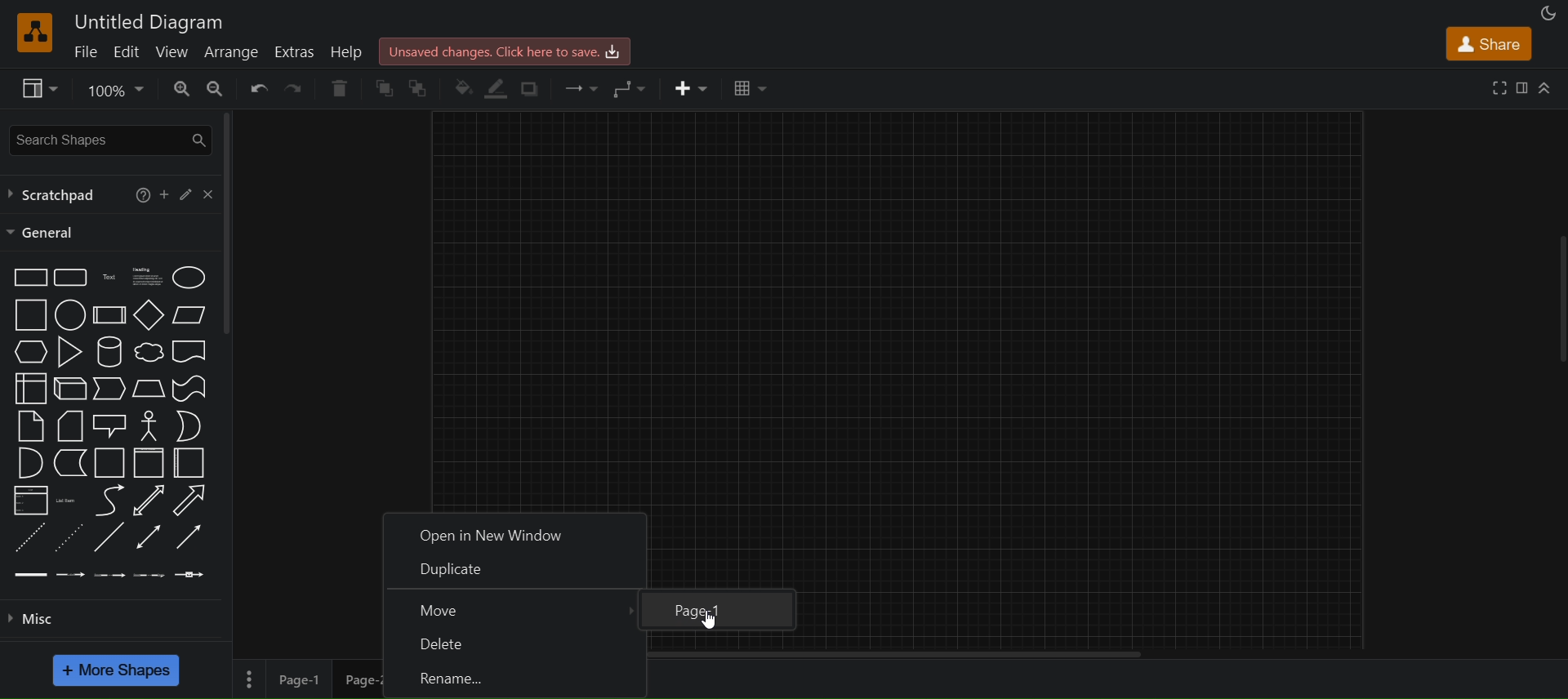 Image resolution: width=1568 pixels, height=699 pixels. What do you see at coordinates (190, 463) in the screenshot?
I see `horizontal container` at bounding box center [190, 463].